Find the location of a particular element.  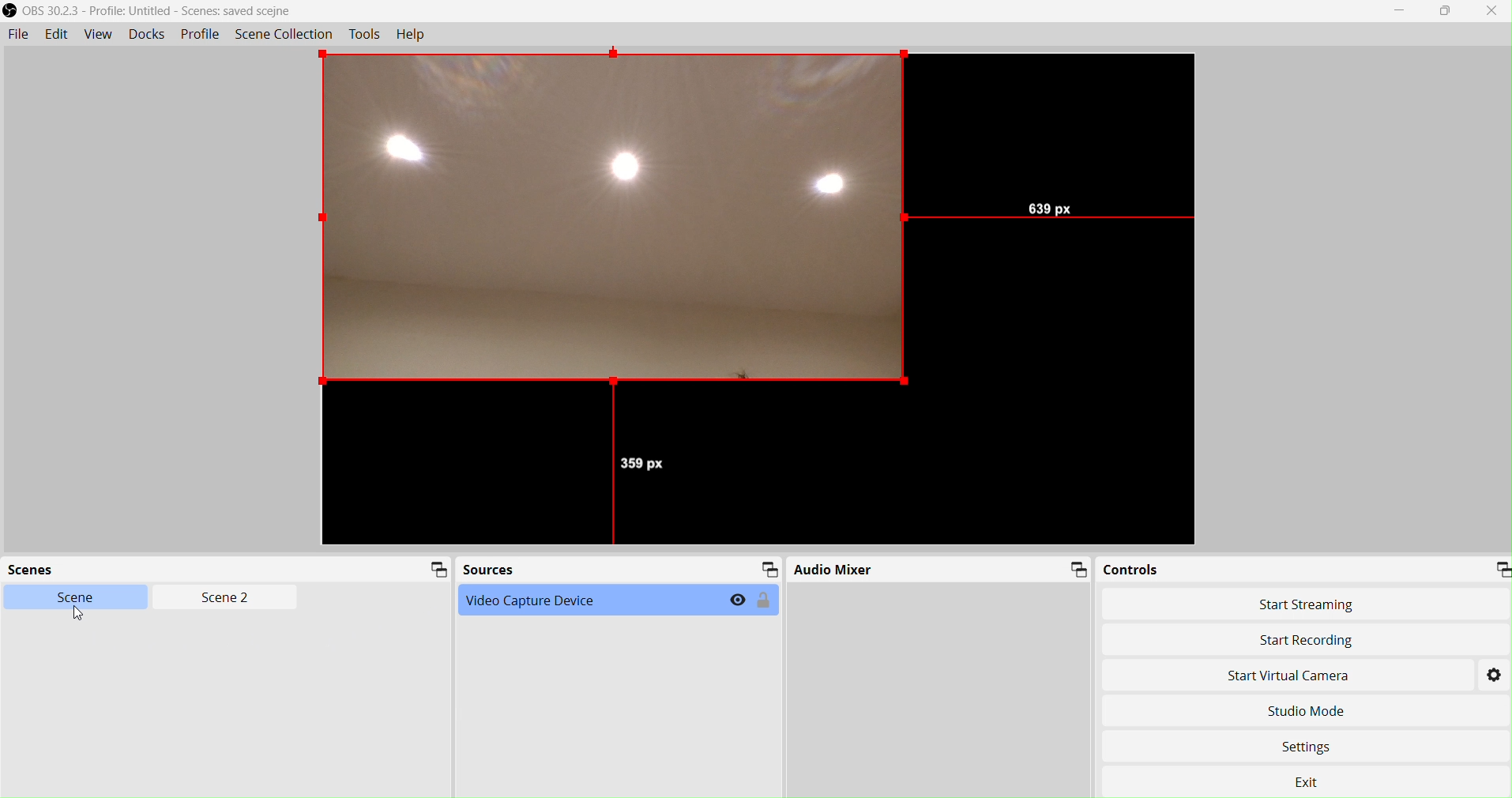

Docks is located at coordinates (151, 36).